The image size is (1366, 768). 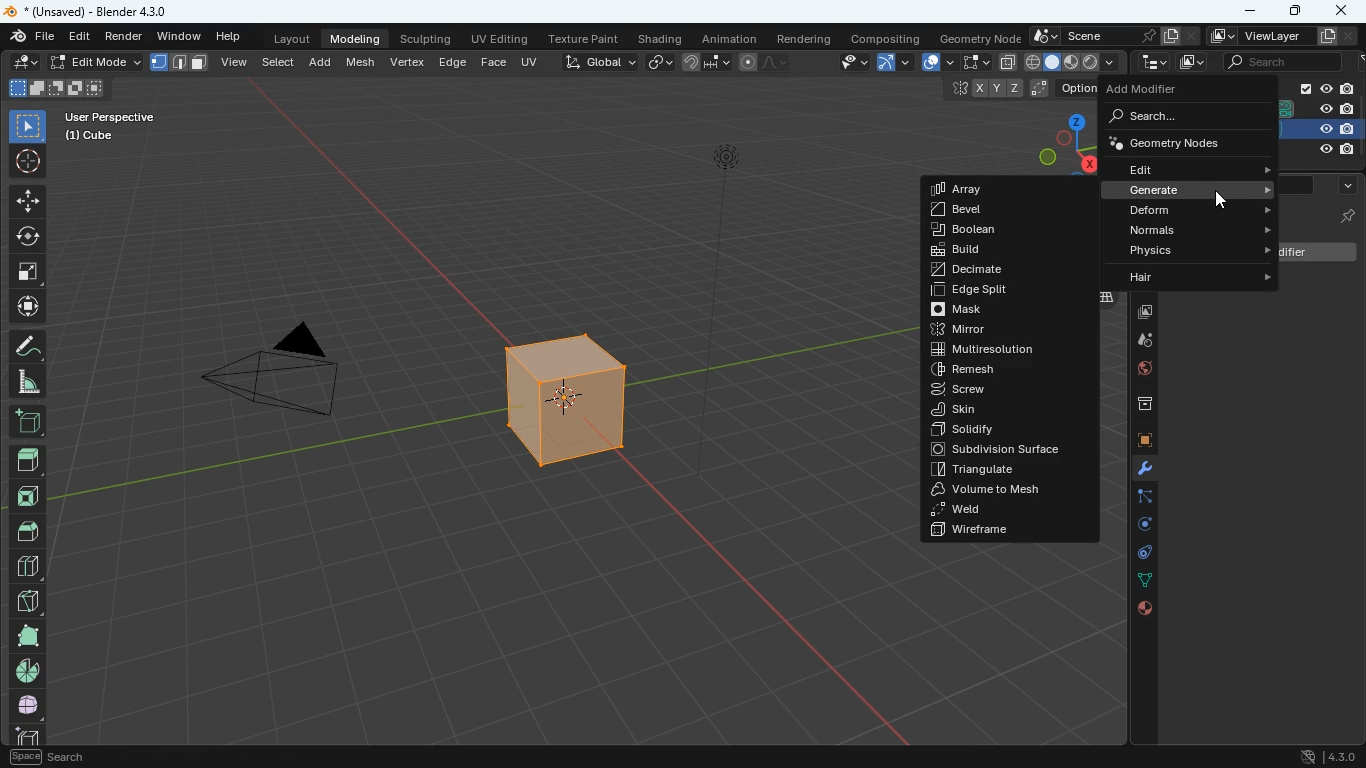 I want to click on geometry, so click(x=1181, y=143).